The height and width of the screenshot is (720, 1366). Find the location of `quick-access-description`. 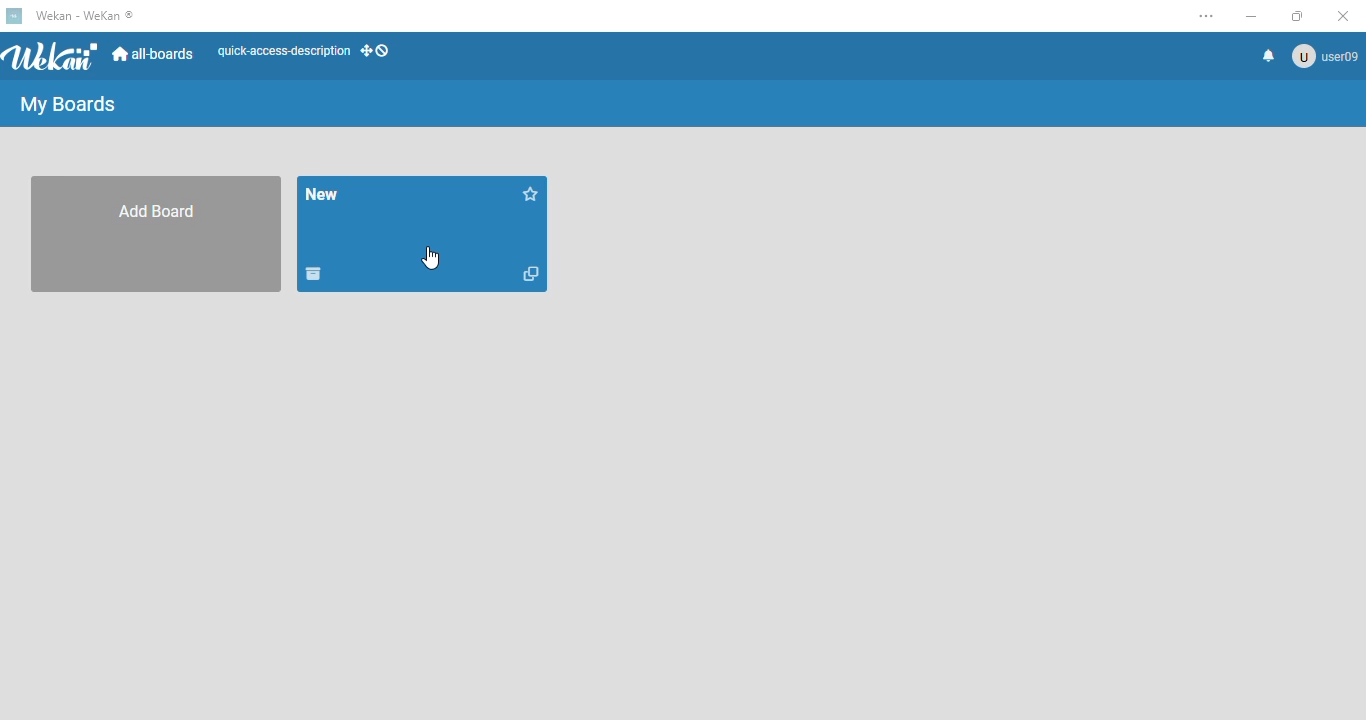

quick-access-description is located at coordinates (284, 51).